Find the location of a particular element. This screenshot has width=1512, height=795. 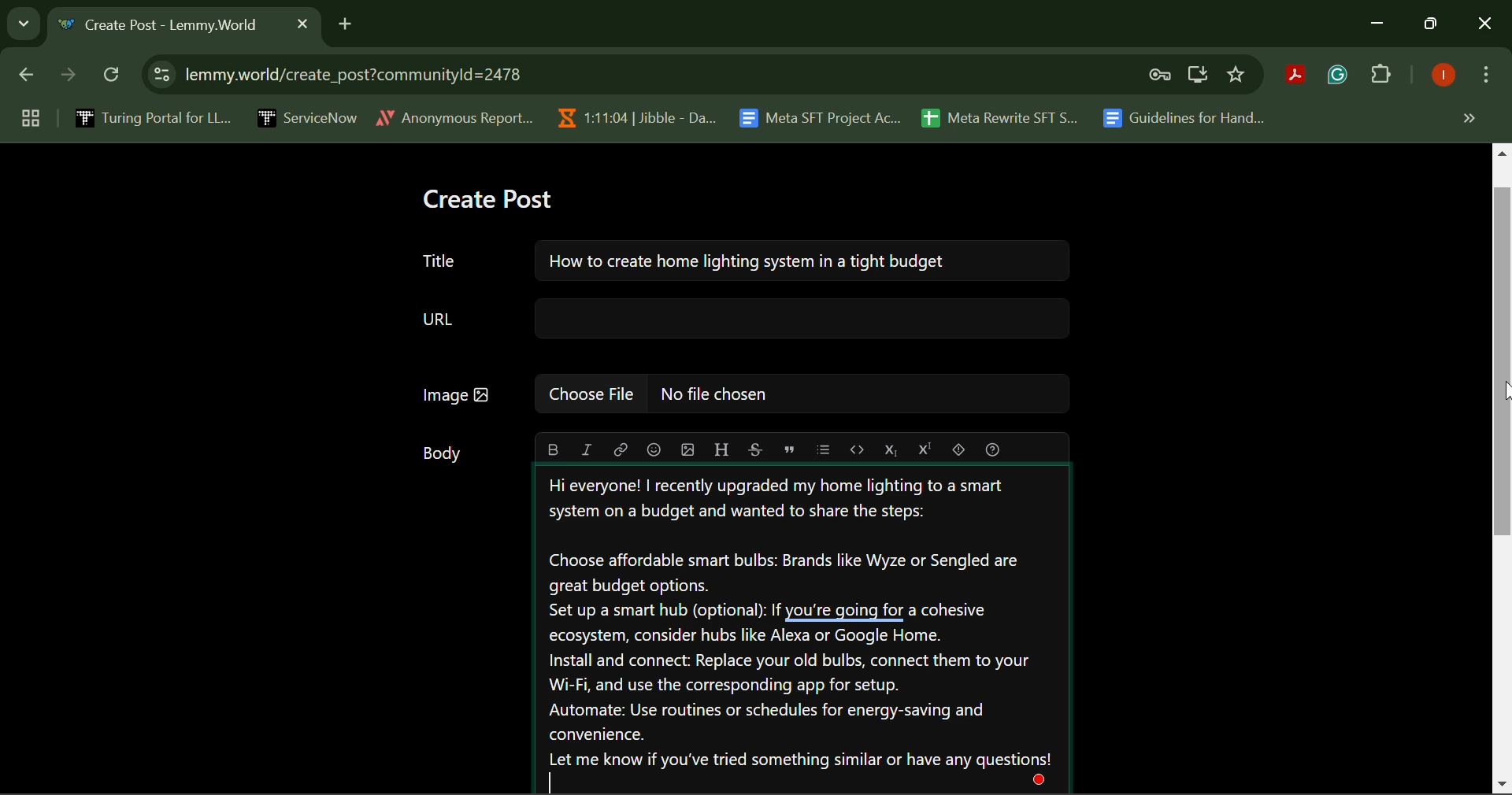

Close Tab is located at coordinates (302, 23).